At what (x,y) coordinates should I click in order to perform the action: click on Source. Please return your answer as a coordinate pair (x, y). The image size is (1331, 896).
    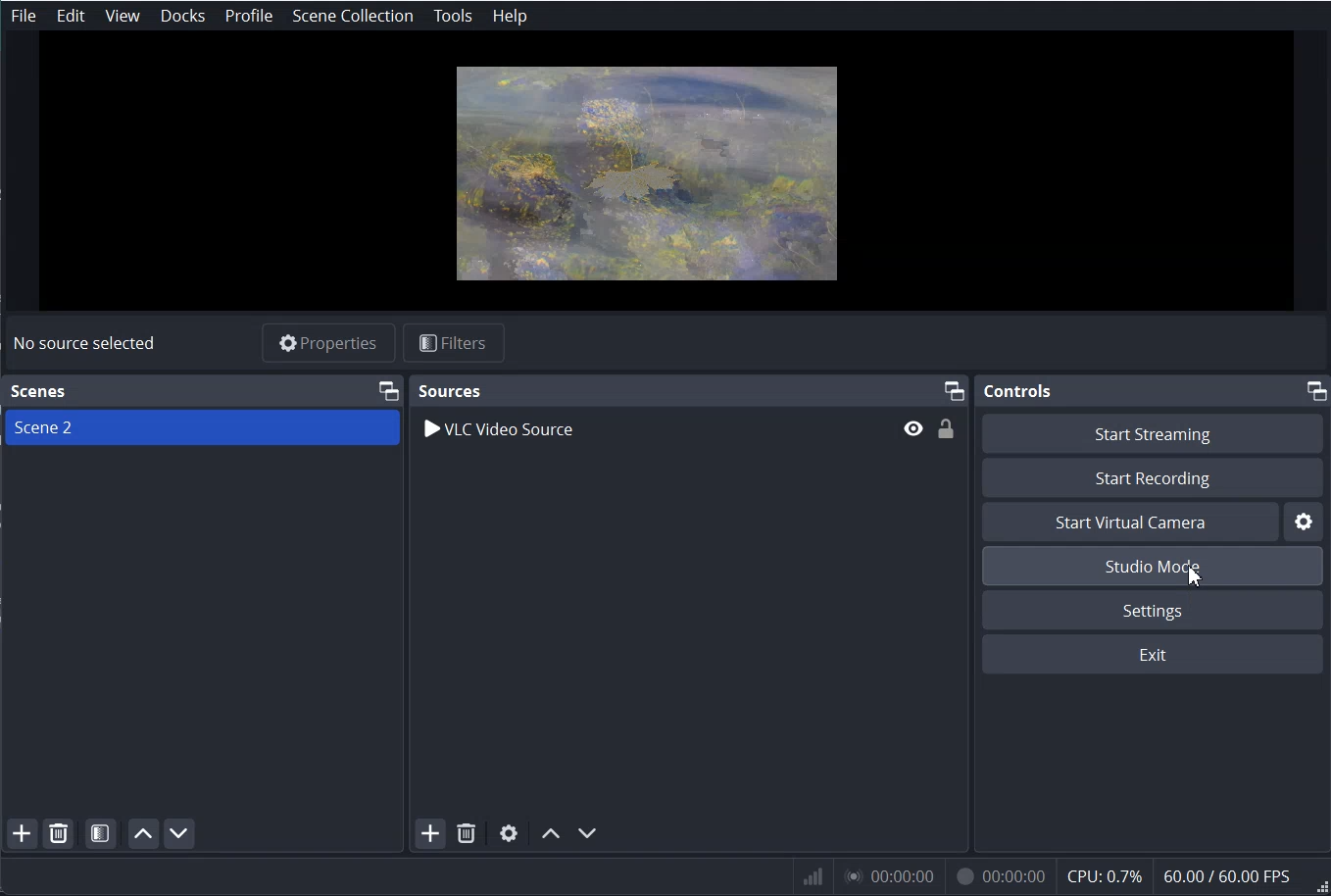
    Looking at the image, I should click on (449, 390).